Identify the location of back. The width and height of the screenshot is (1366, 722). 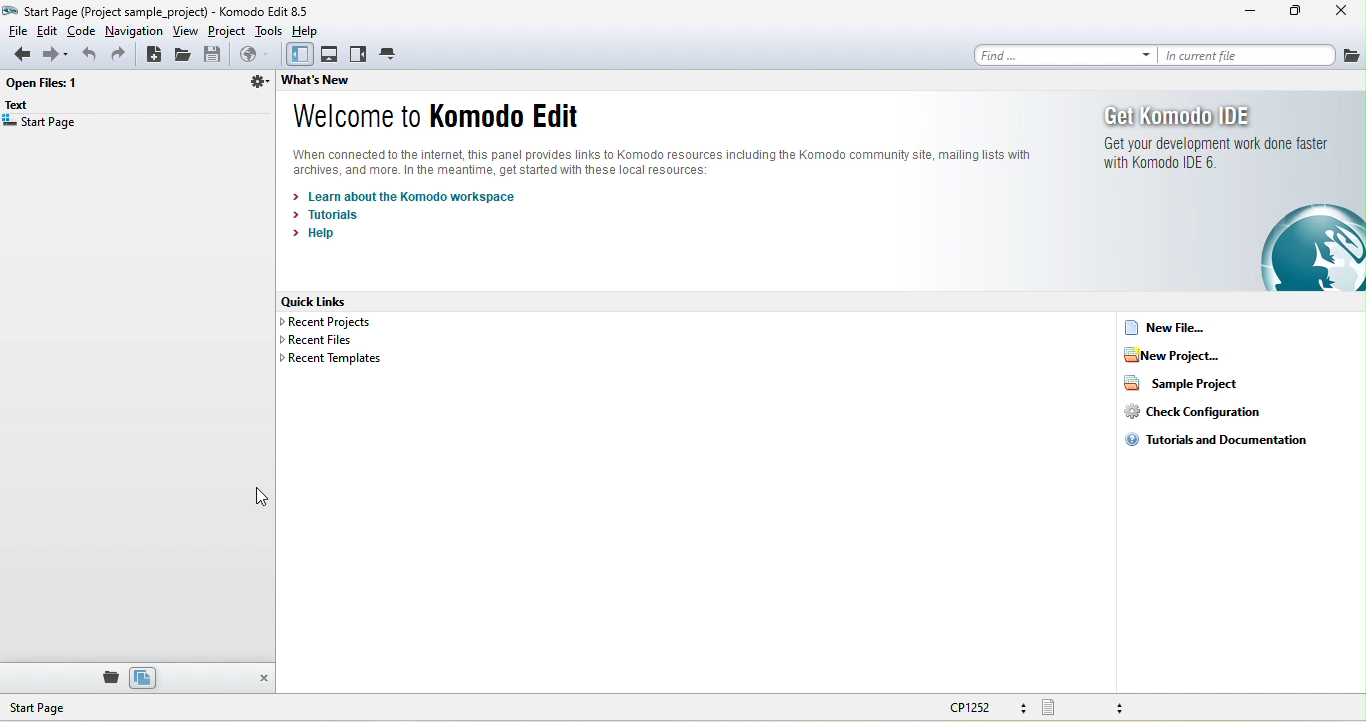
(17, 56).